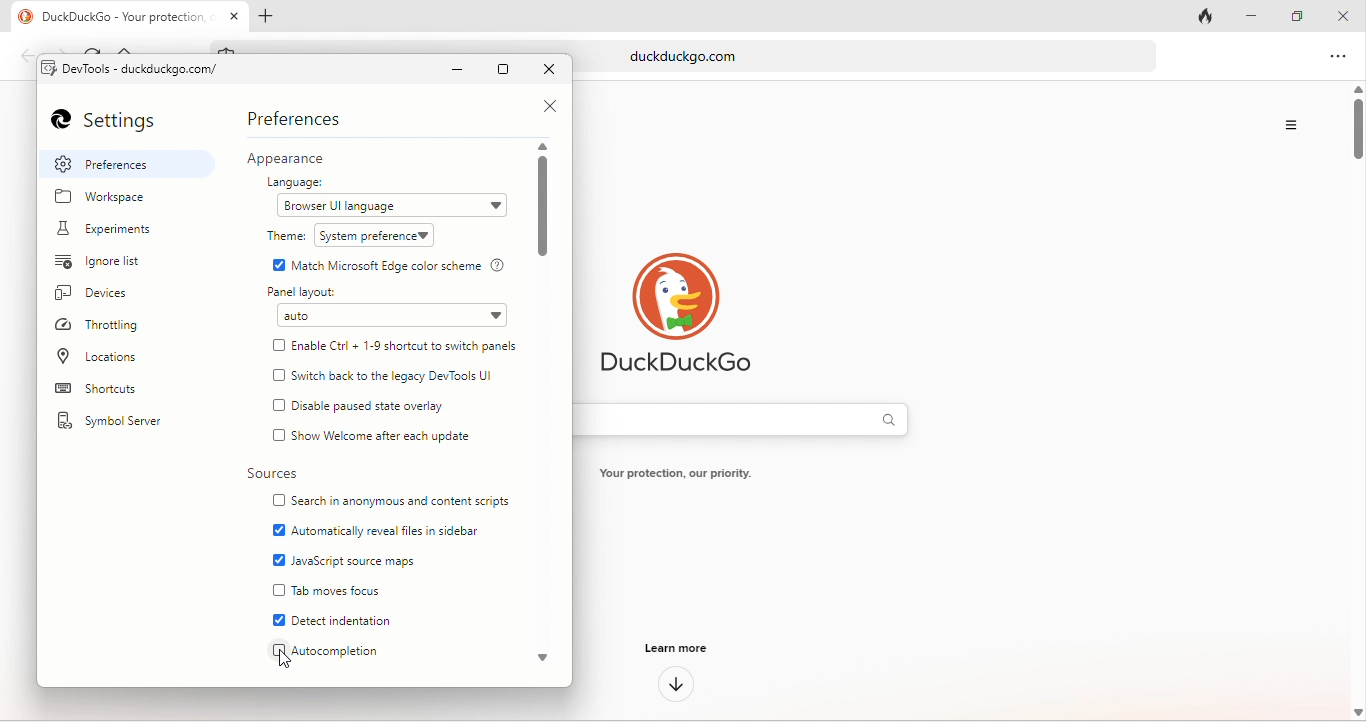 Image resolution: width=1366 pixels, height=722 pixels. What do you see at coordinates (394, 315) in the screenshot?
I see `auto` at bounding box center [394, 315].